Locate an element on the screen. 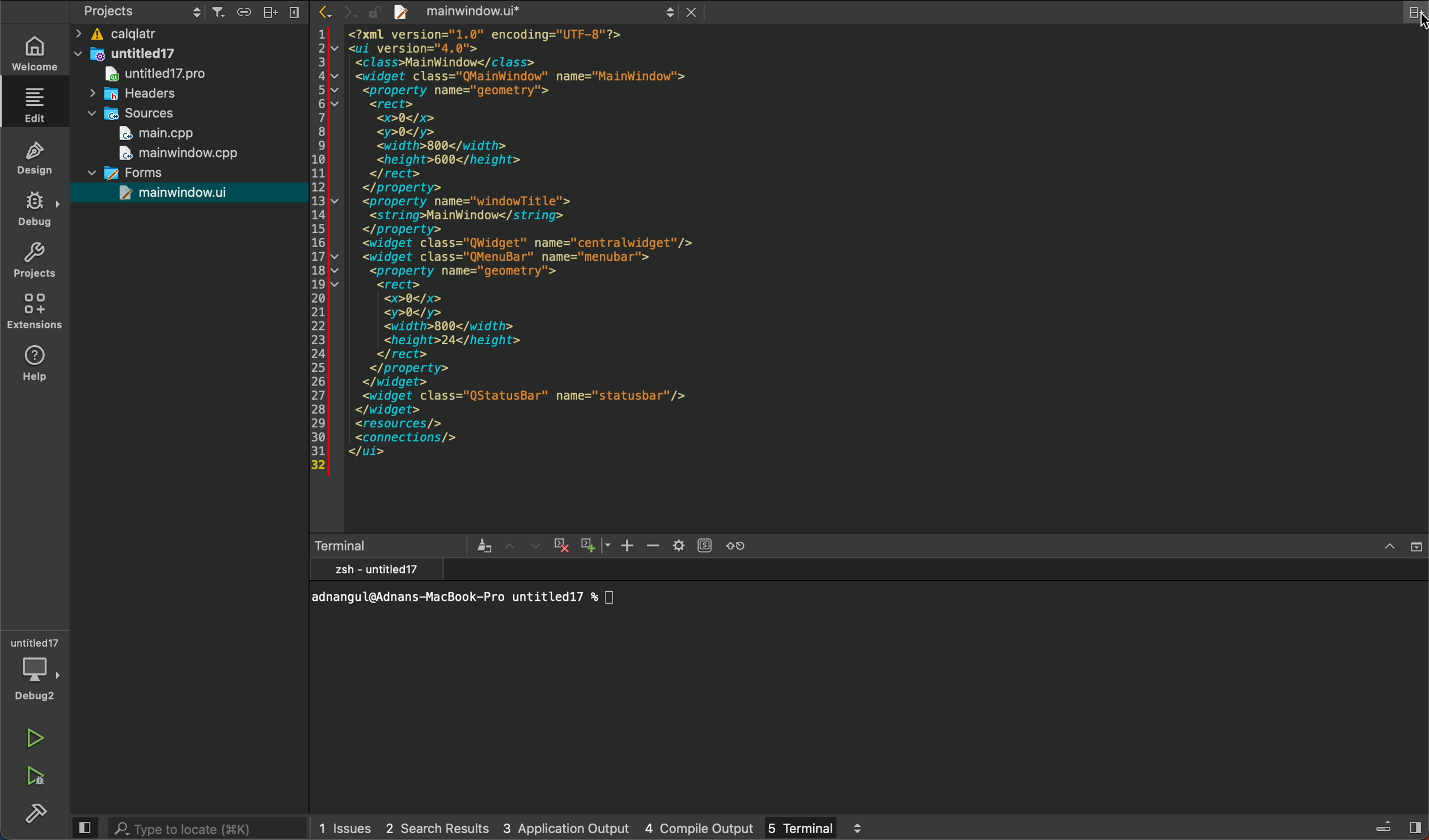 Image resolution: width=1429 pixels, height=840 pixels. untitled17 is located at coordinates (147, 74).